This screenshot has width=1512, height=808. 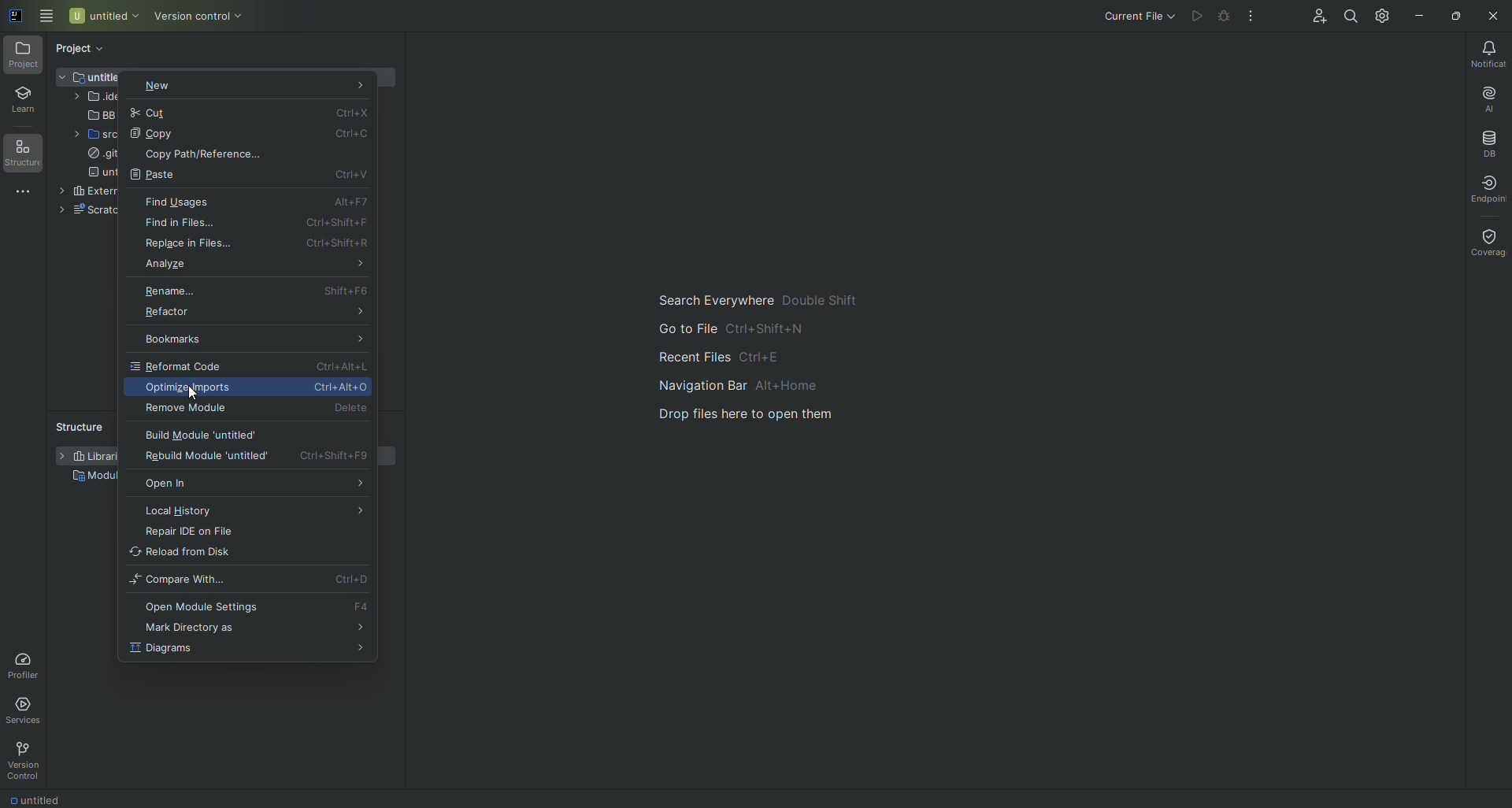 What do you see at coordinates (261, 606) in the screenshot?
I see `Open Module Settings` at bounding box center [261, 606].